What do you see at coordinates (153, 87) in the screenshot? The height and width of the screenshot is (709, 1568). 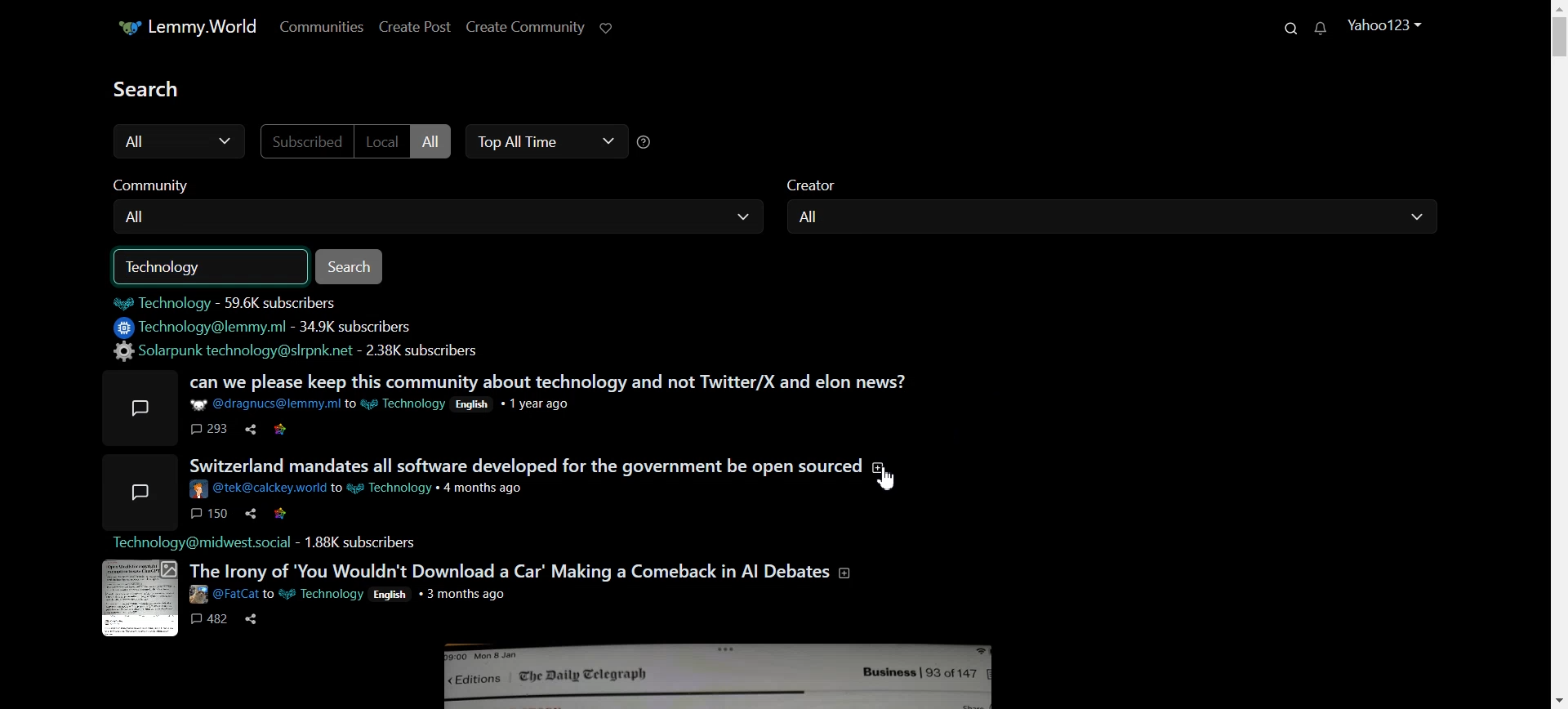 I see `Text` at bounding box center [153, 87].